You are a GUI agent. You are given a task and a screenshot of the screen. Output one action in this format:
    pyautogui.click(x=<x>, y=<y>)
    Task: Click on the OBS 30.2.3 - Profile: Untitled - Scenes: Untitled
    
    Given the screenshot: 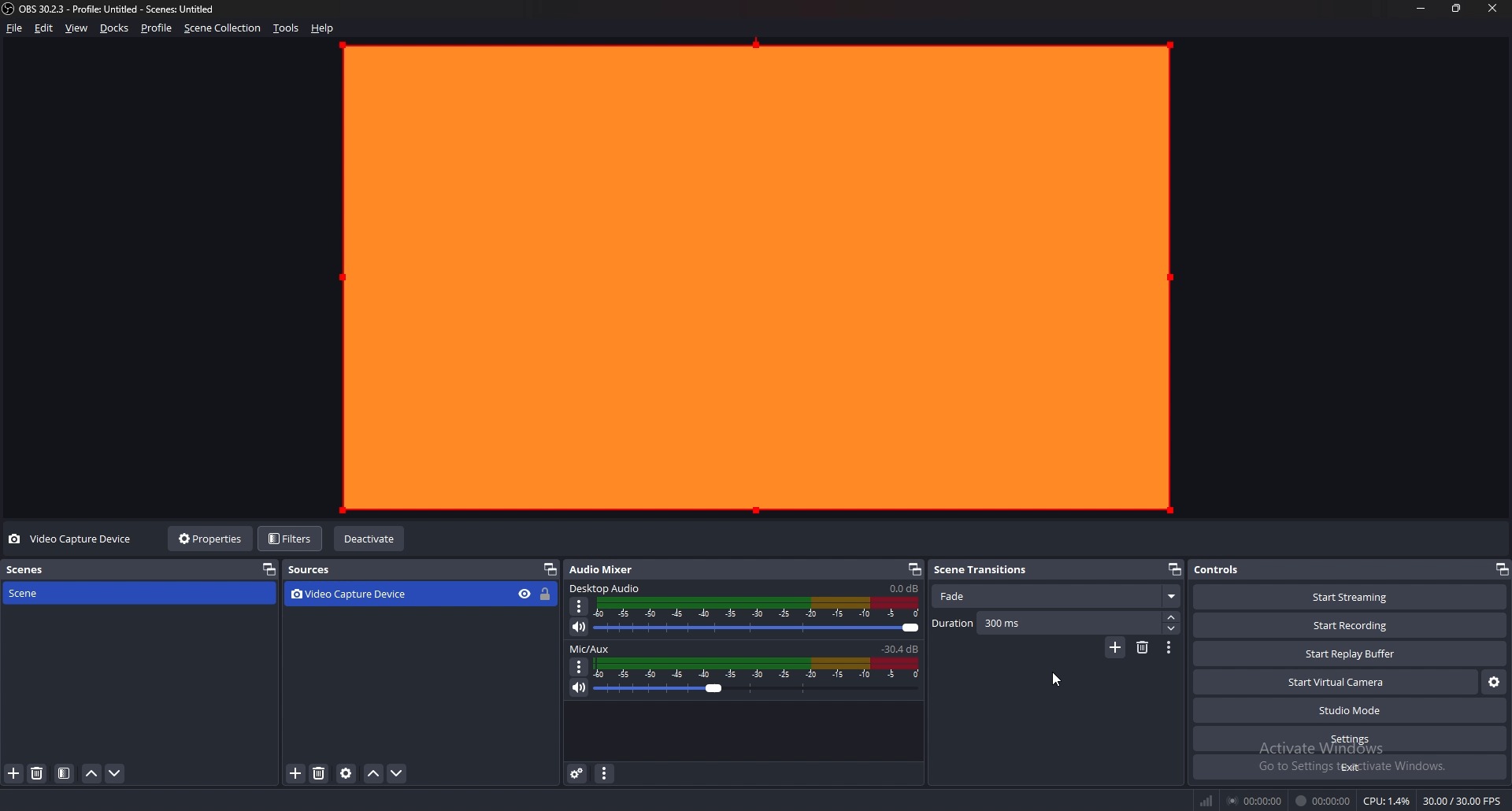 What is the action you would take?
    pyautogui.click(x=122, y=10)
    